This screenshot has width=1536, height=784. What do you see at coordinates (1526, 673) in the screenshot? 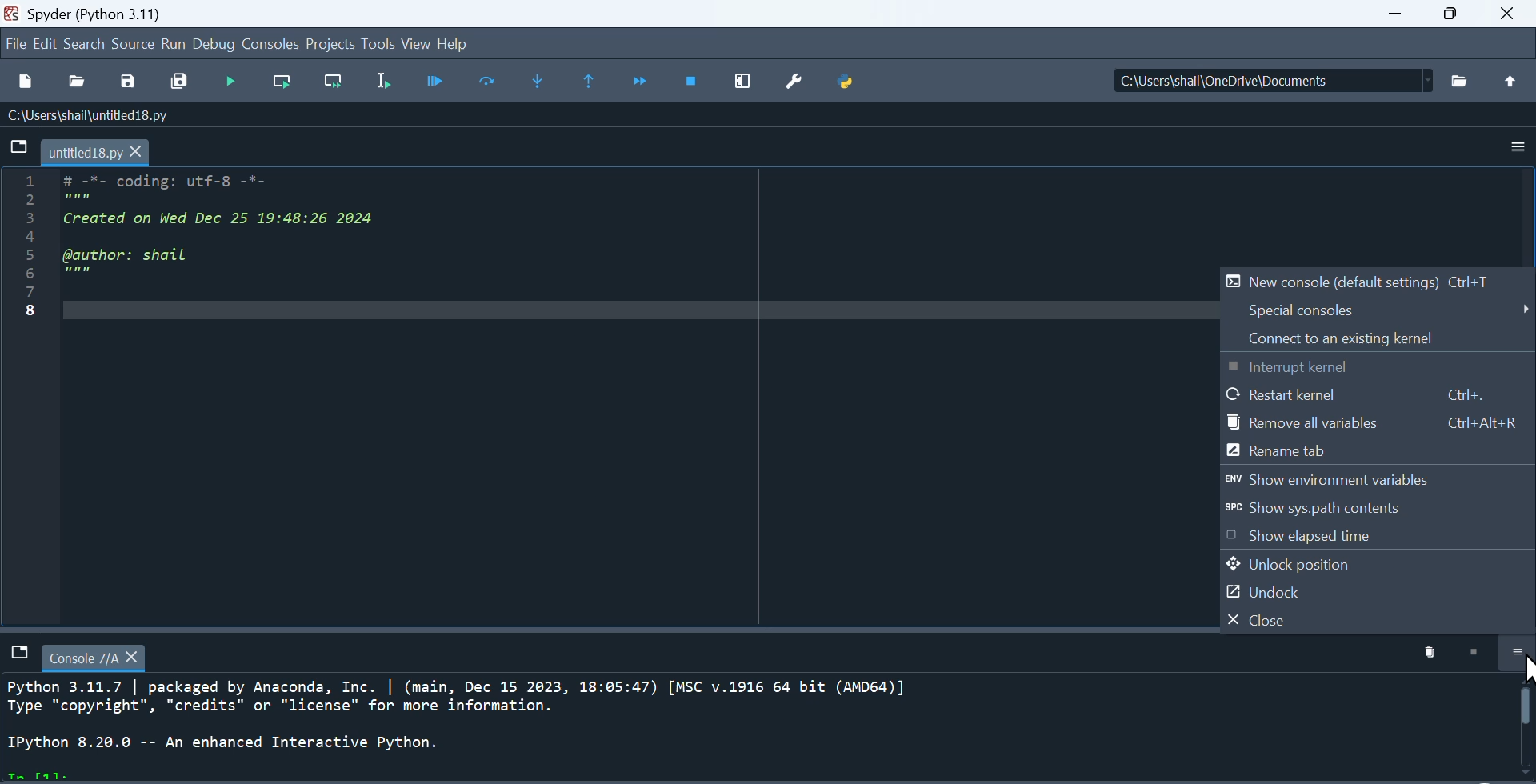
I see `cursor` at bounding box center [1526, 673].